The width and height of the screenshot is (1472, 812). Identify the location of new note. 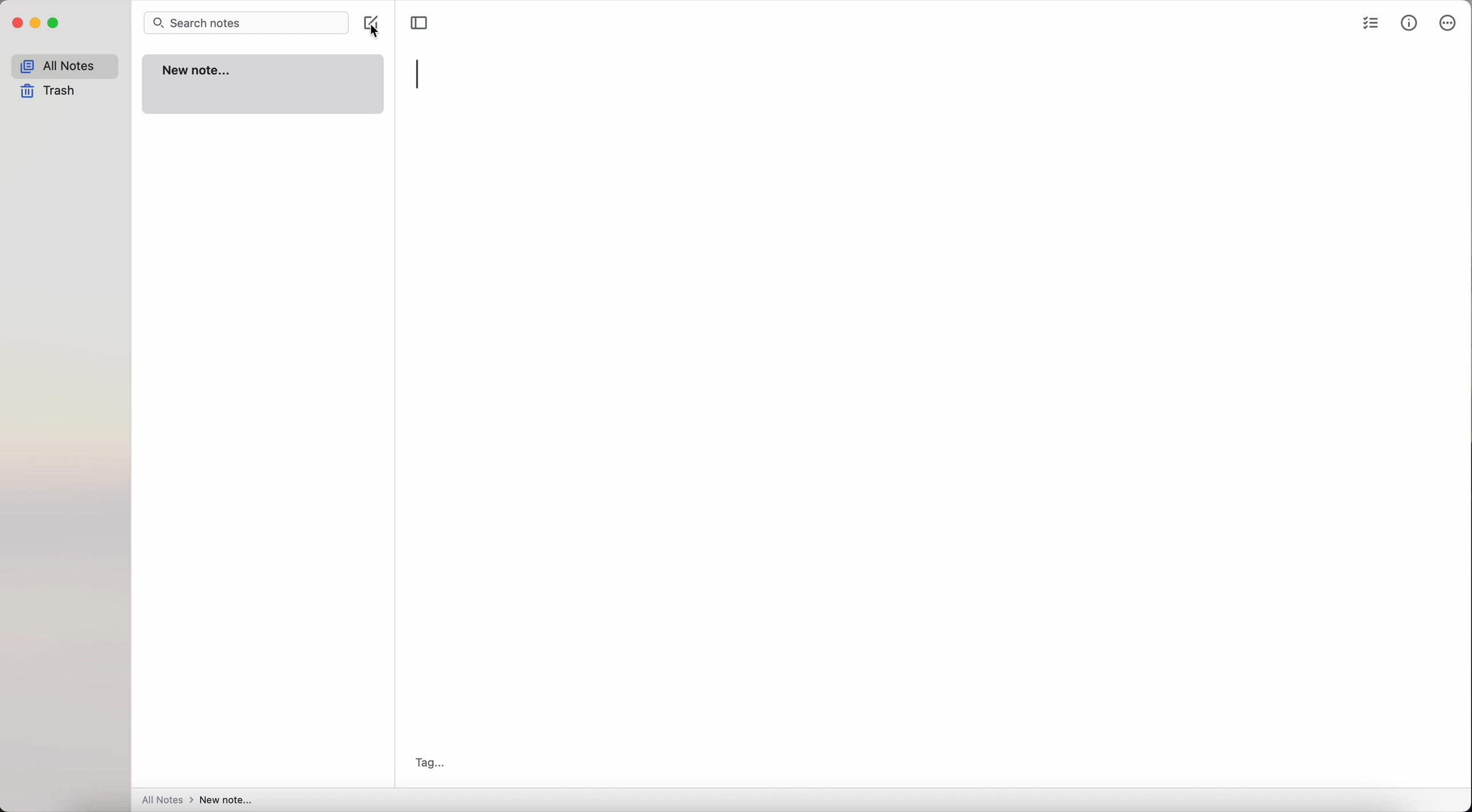
(263, 83).